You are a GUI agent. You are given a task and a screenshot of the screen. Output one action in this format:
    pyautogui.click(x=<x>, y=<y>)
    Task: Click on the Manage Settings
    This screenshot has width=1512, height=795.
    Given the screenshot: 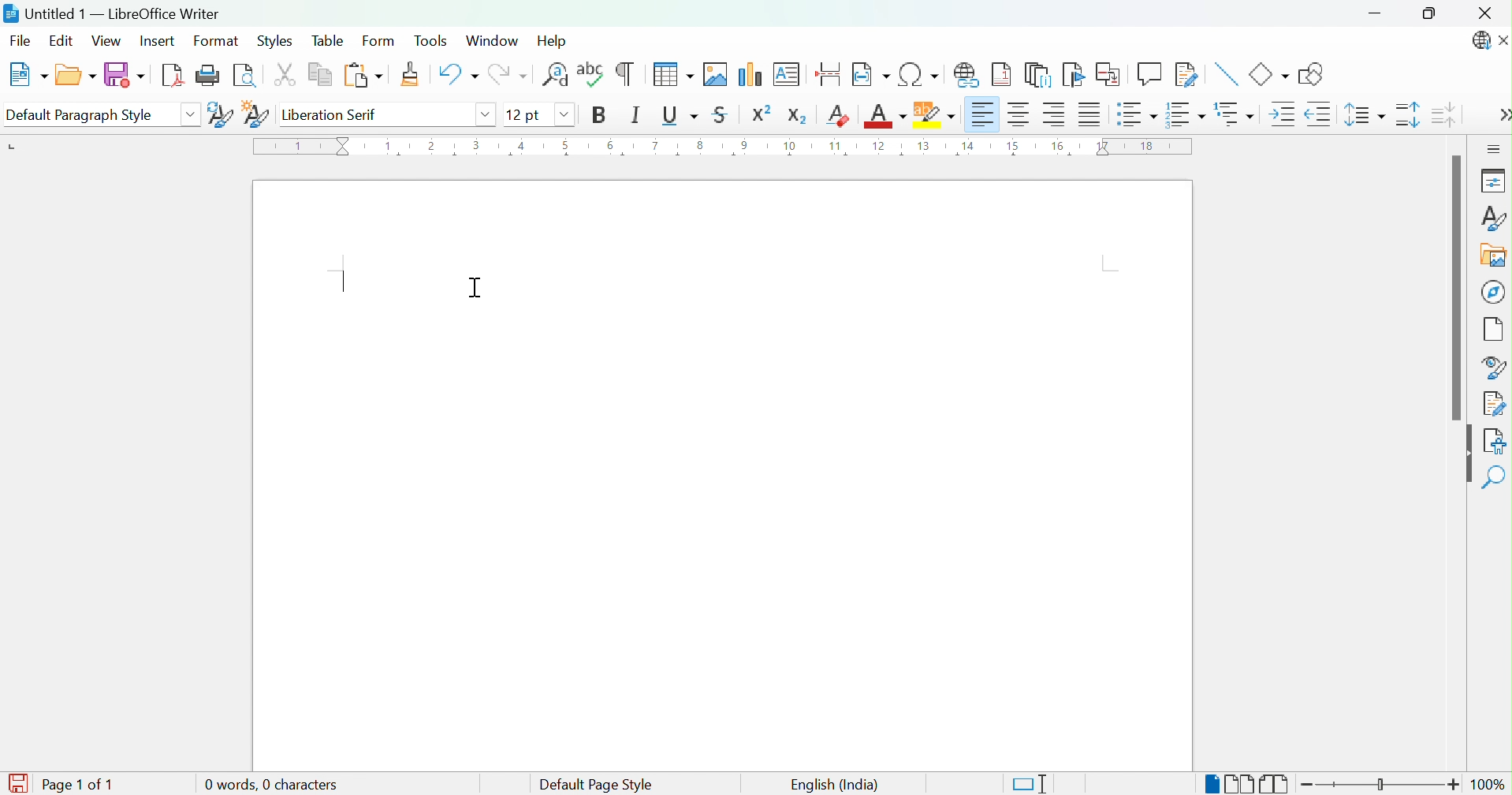 What is the action you would take?
    pyautogui.click(x=1494, y=402)
    